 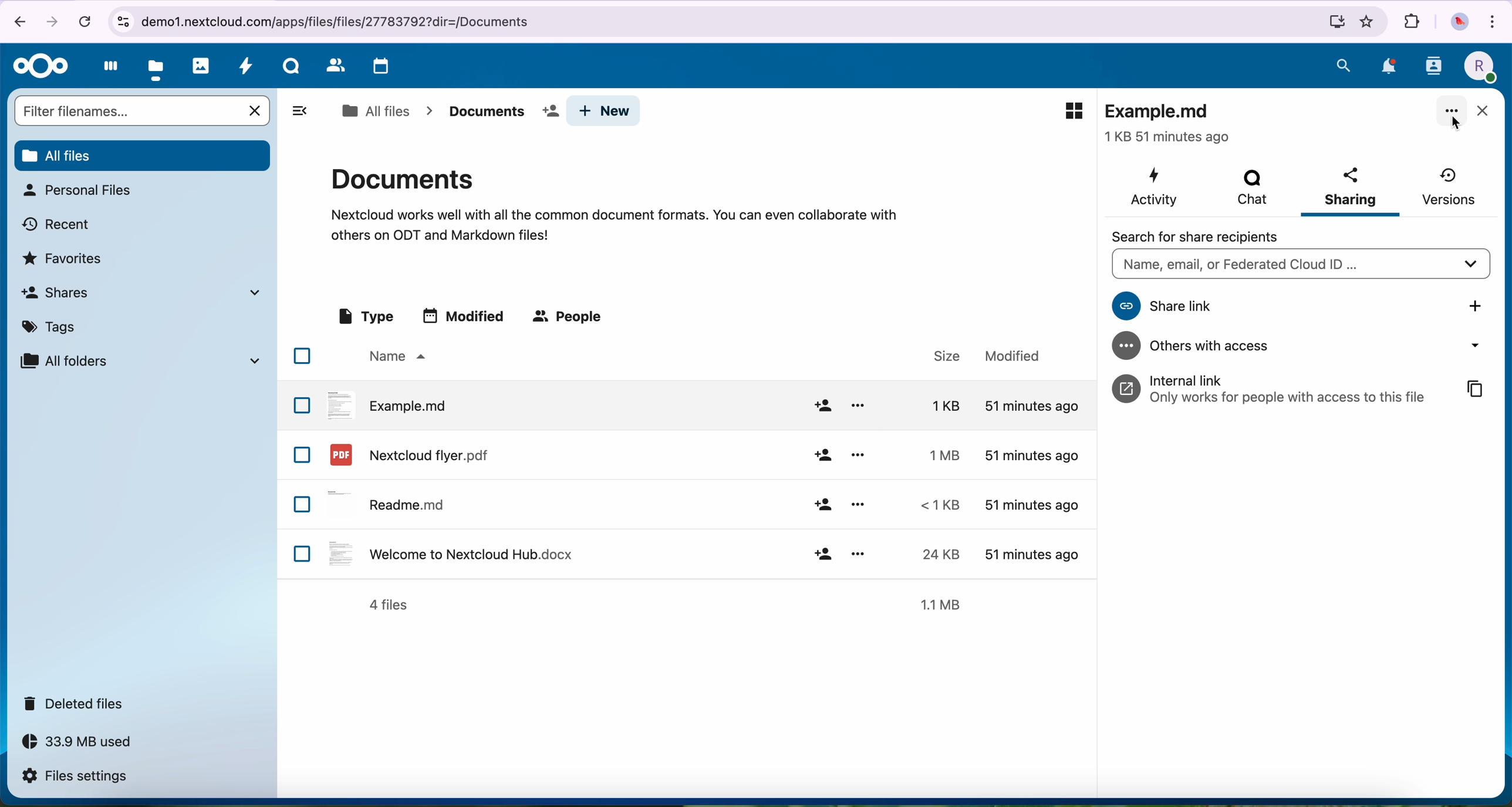 What do you see at coordinates (1171, 123) in the screenshot?
I see `example.md file` at bounding box center [1171, 123].